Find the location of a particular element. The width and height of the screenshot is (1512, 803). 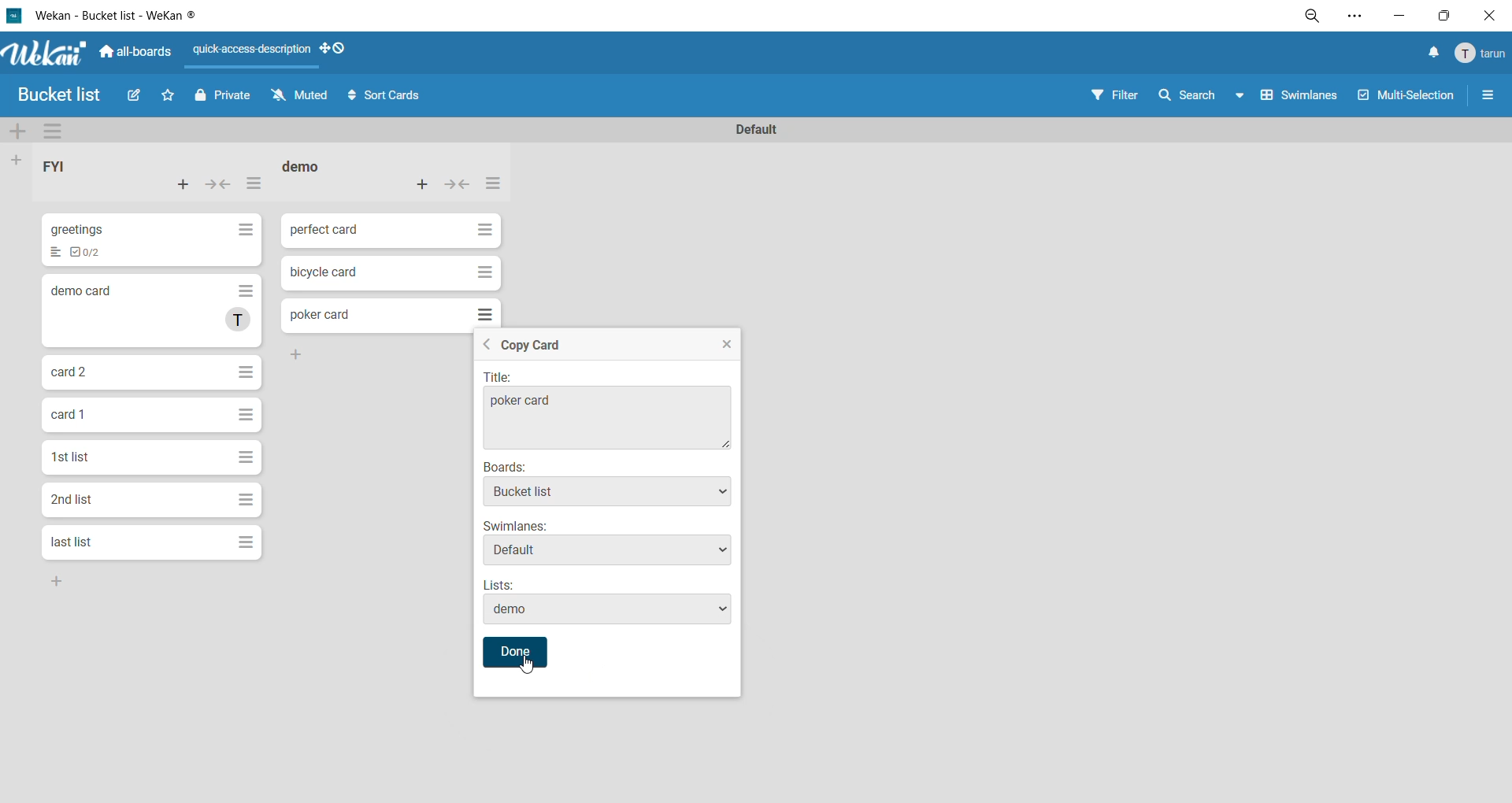

collapse is located at coordinates (221, 185).